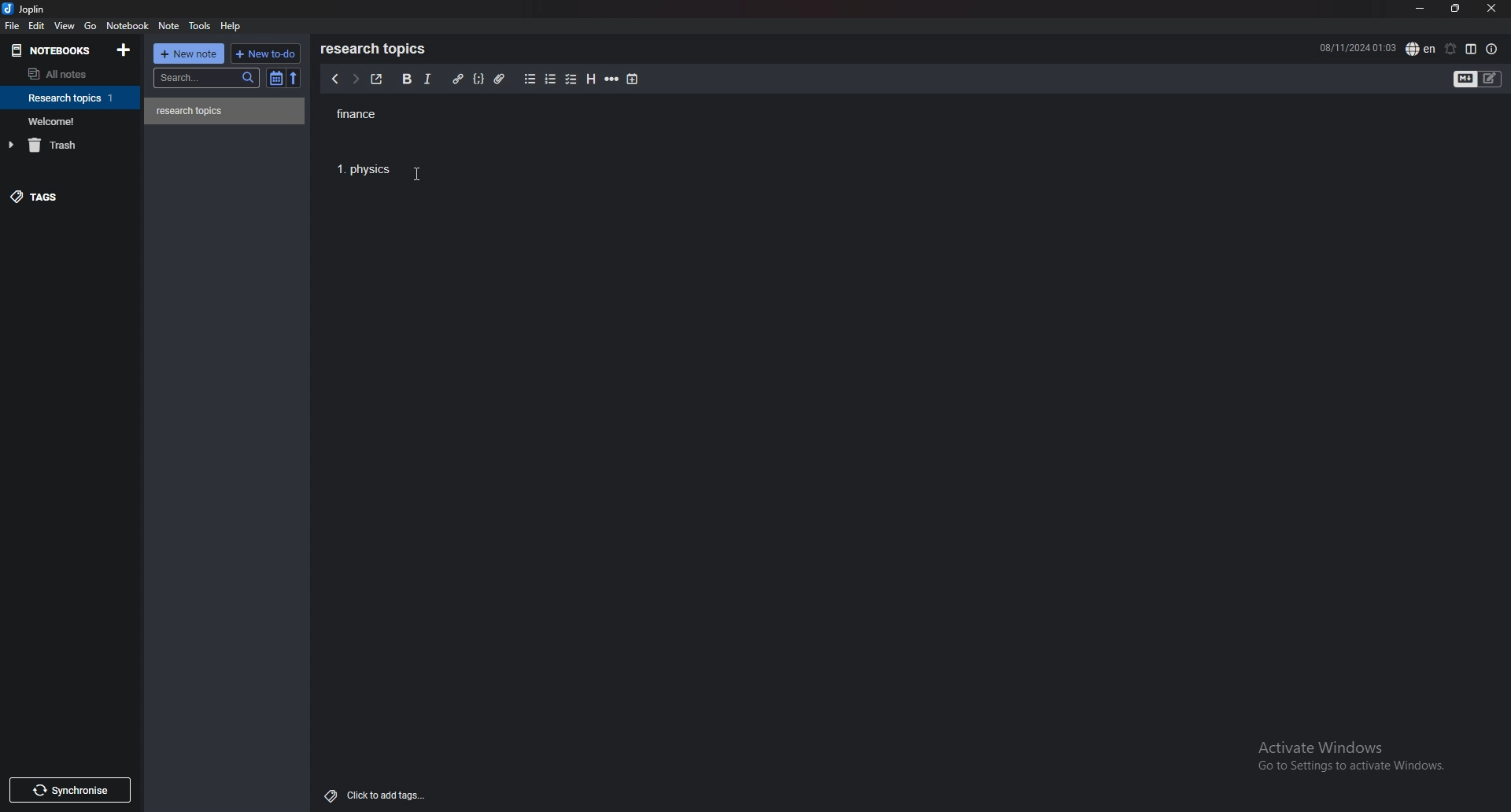 This screenshot has height=812, width=1511. Describe the element at coordinates (371, 795) in the screenshot. I see `Click to add tags` at that location.